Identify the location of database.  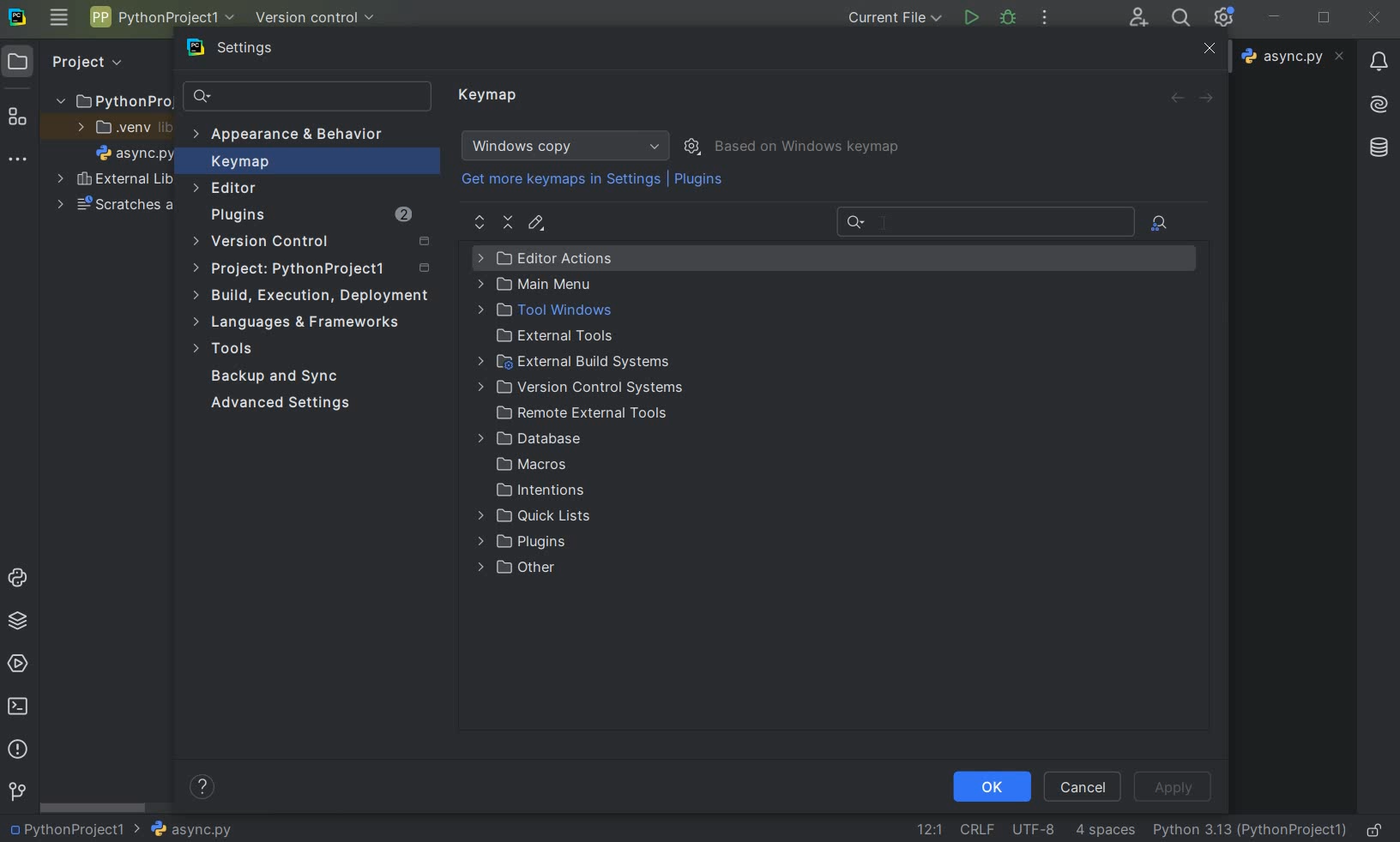
(530, 440).